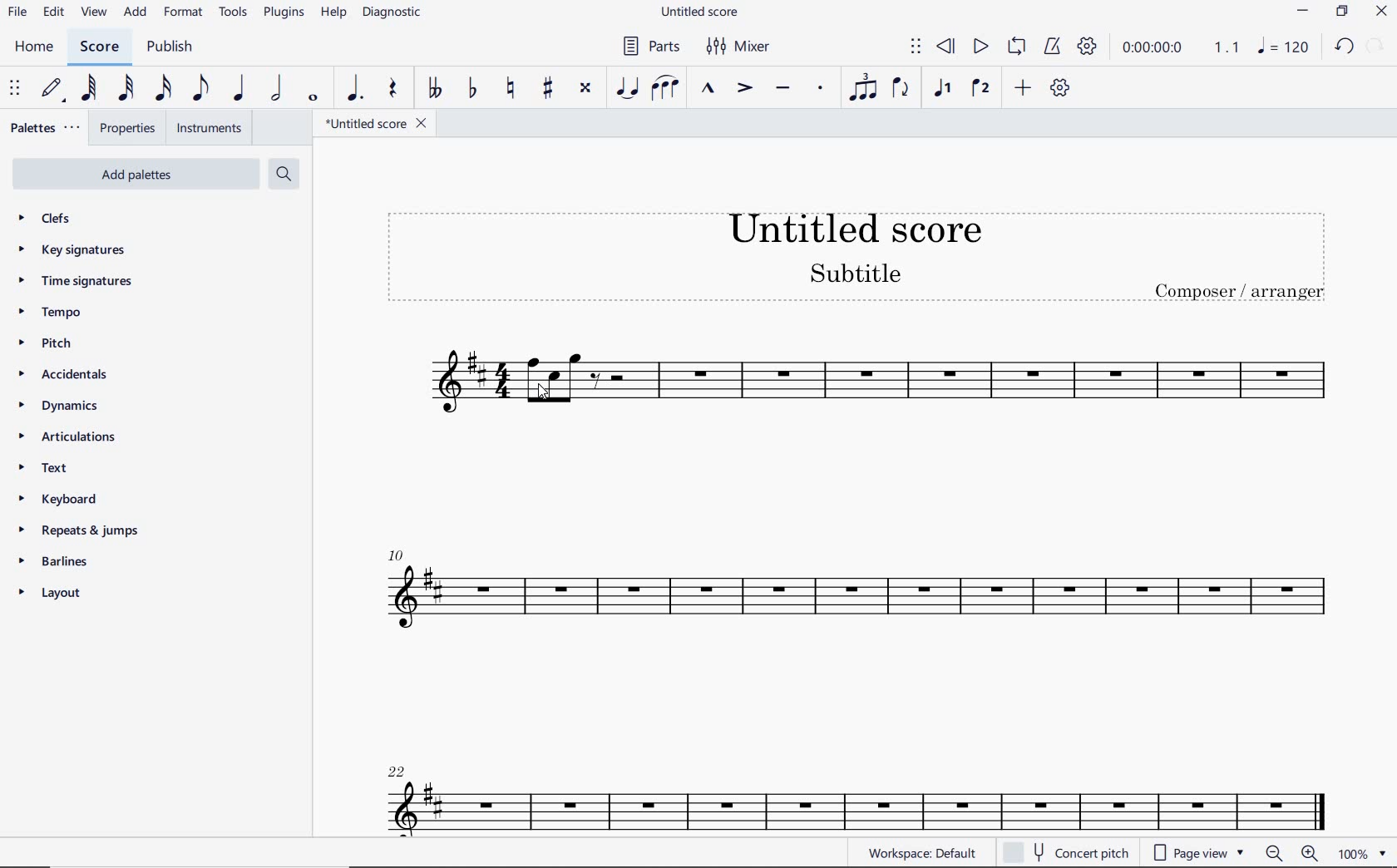 The height and width of the screenshot is (868, 1397). I want to click on STACCATO, so click(821, 90).